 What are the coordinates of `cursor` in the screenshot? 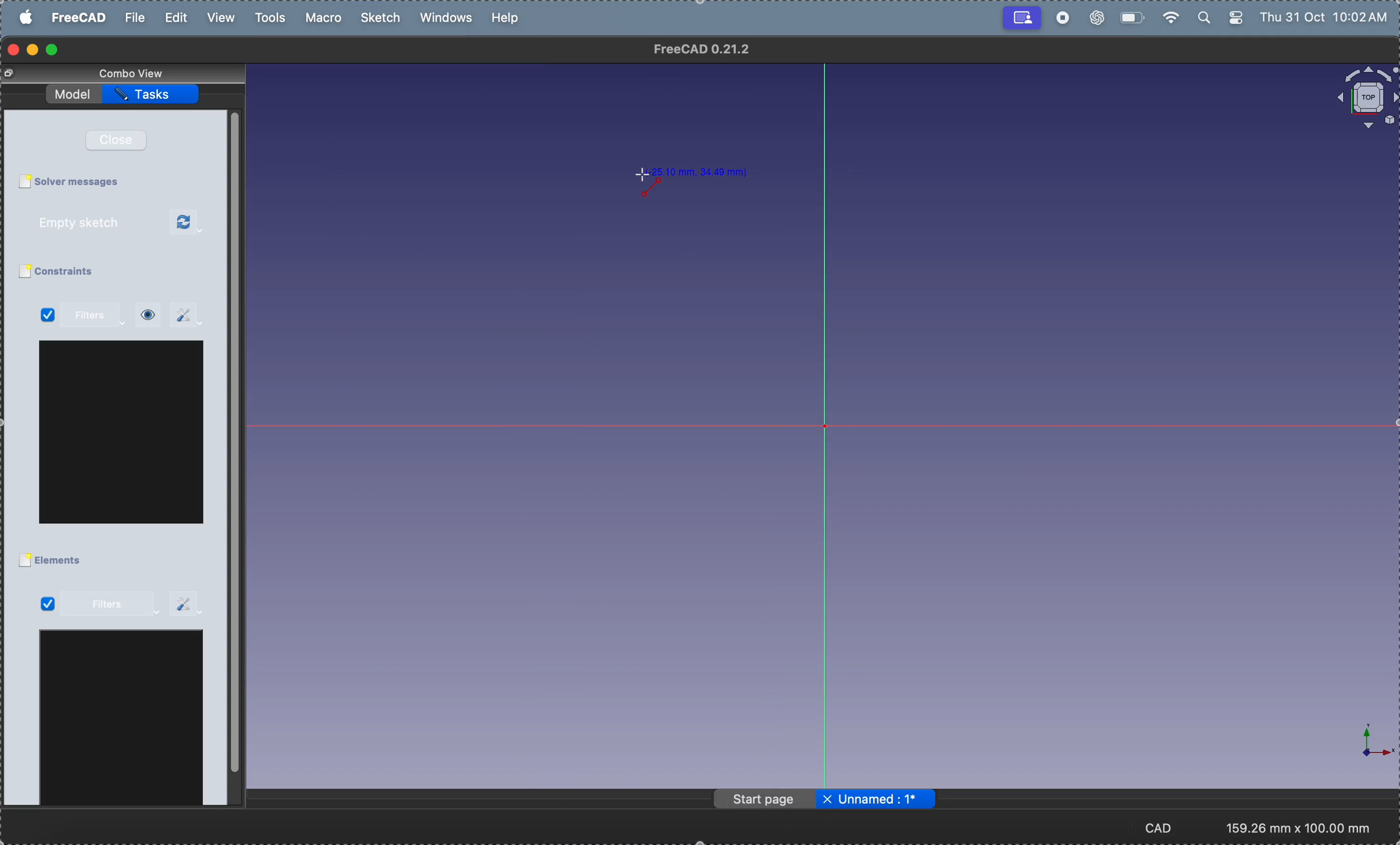 It's located at (641, 177).